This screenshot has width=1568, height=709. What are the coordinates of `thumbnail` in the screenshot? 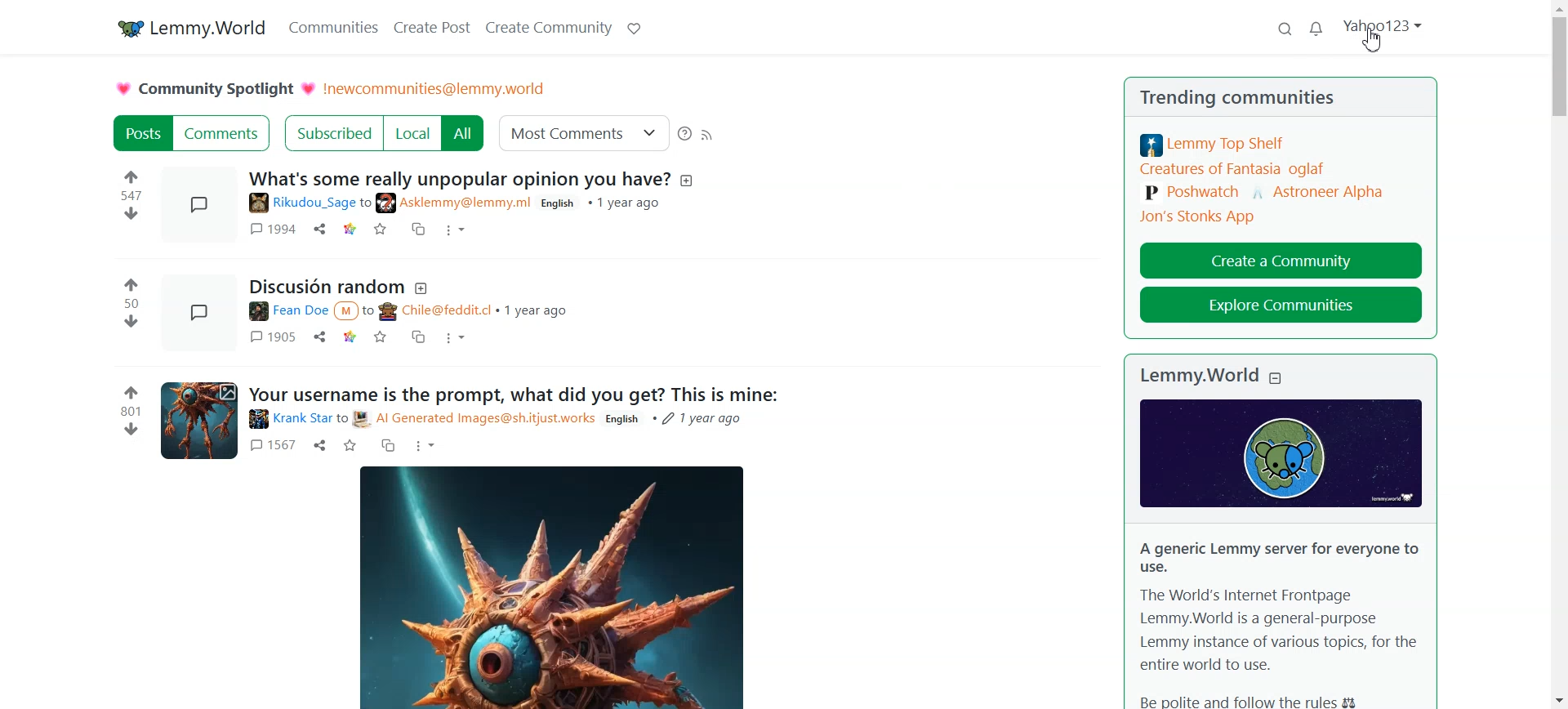 It's located at (199, 419).